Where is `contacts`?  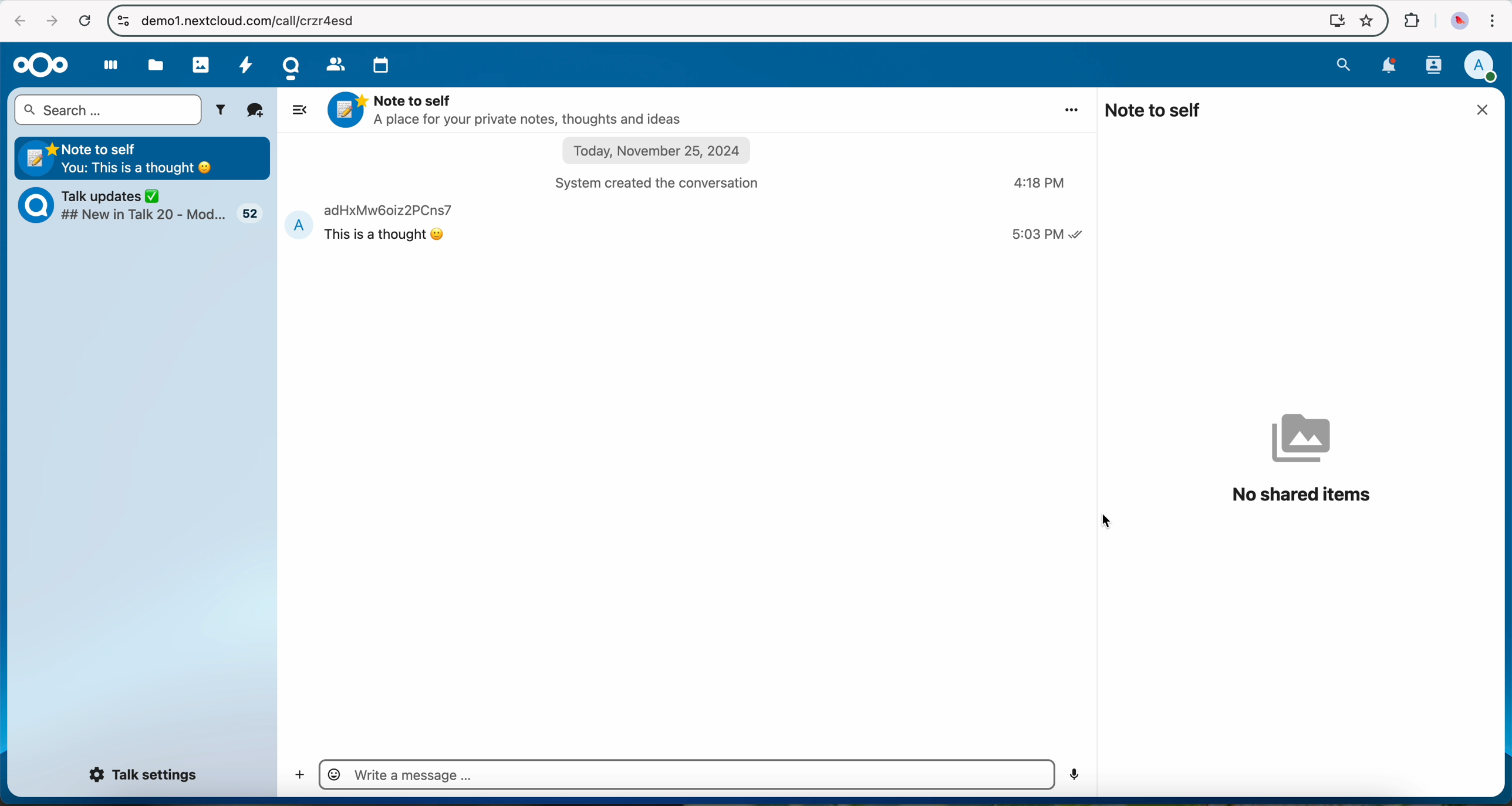
contacts is located at coordinates (335, 63).